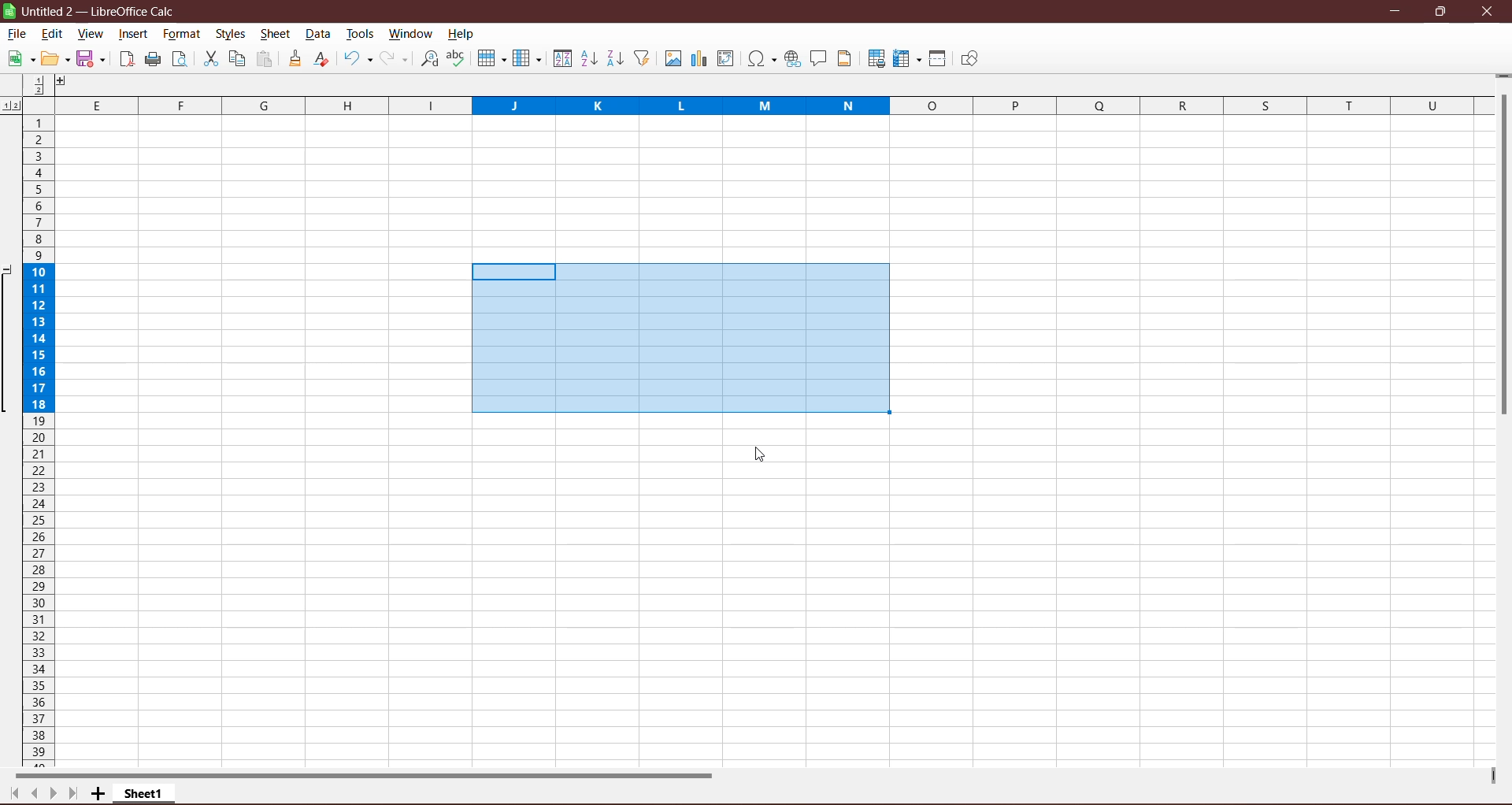  I want to click on Insert Poll, so click(699, 58).